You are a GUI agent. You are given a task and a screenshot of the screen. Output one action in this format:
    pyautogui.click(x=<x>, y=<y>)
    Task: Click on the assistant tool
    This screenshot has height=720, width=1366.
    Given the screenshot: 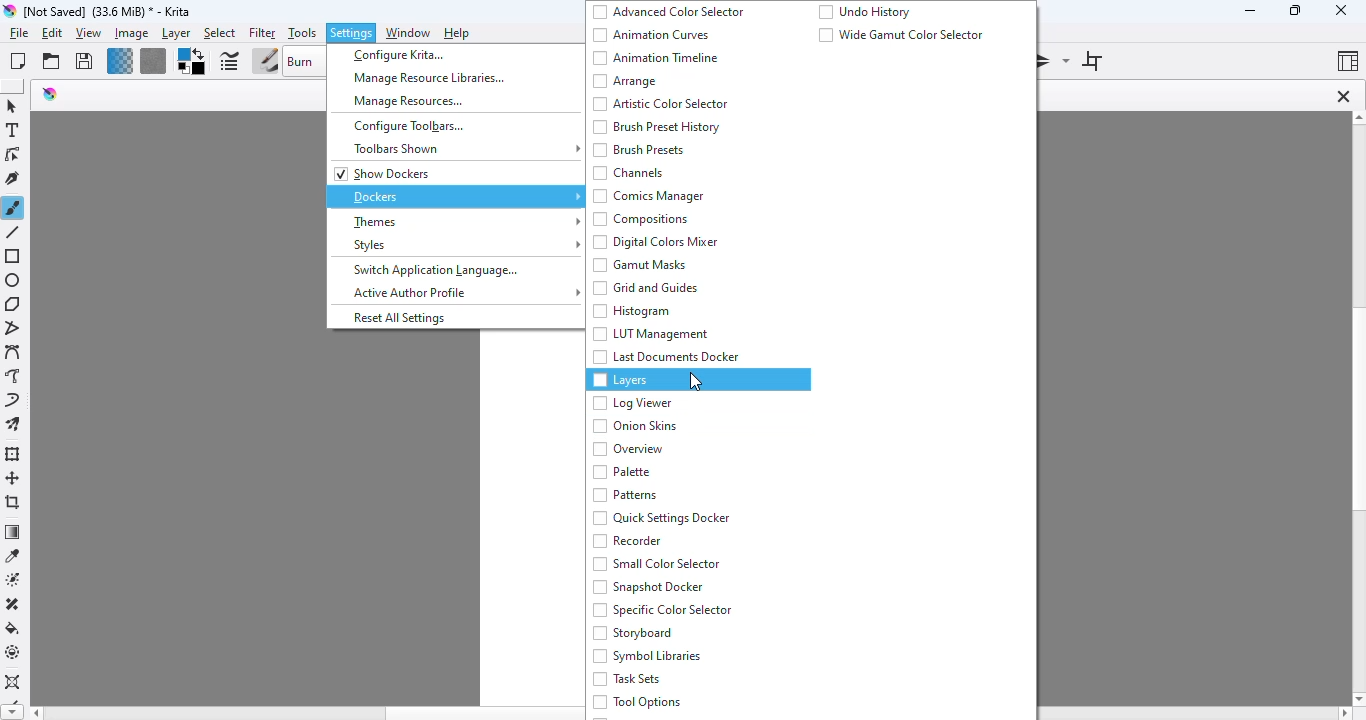 What is the action you would take?
    pyautogui.click(x=13, y=683)
    